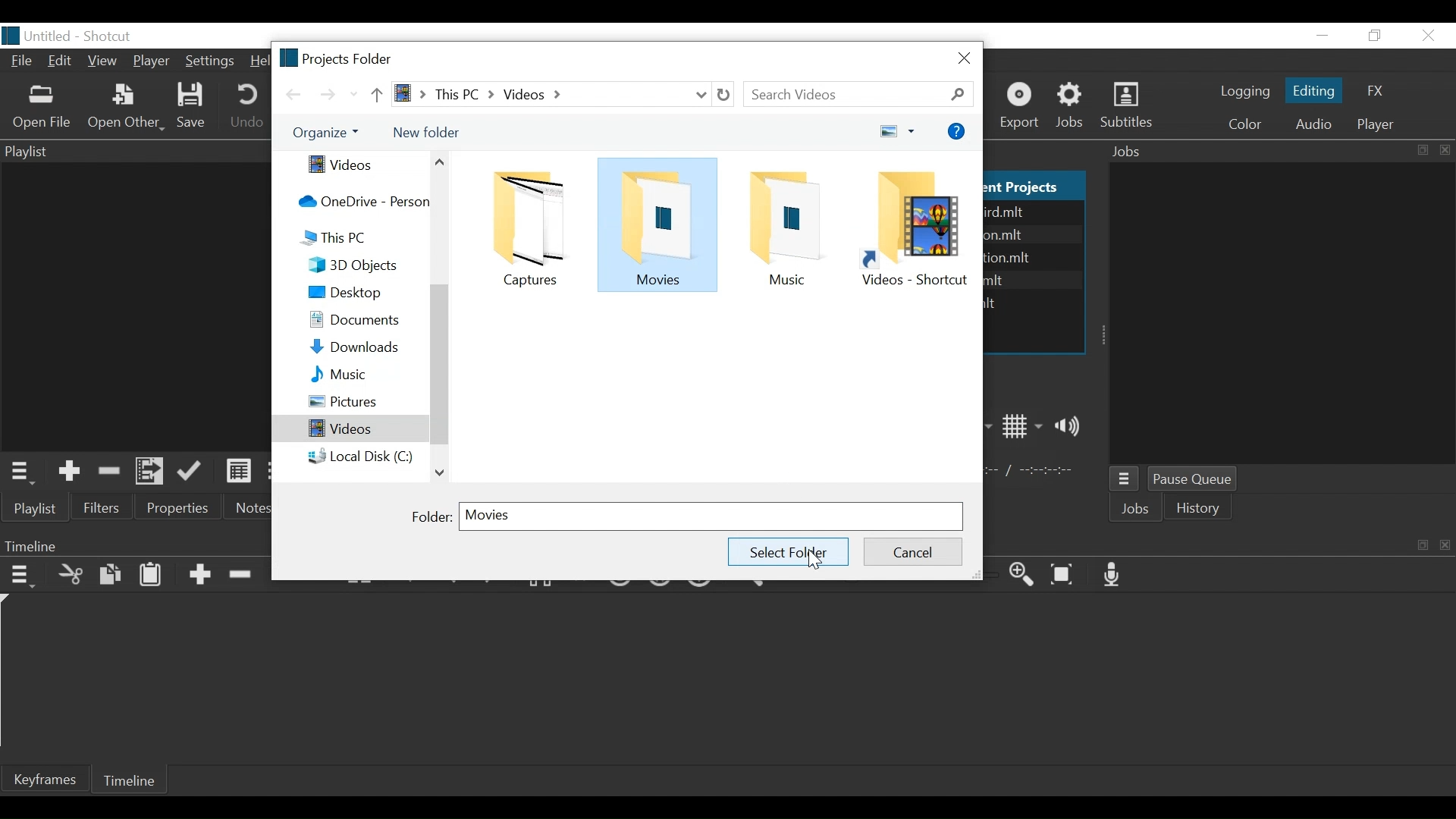  What do you see at coordinates (179, 507) in the screenshot?
I see `Properties` at bounding box center [179, 507].